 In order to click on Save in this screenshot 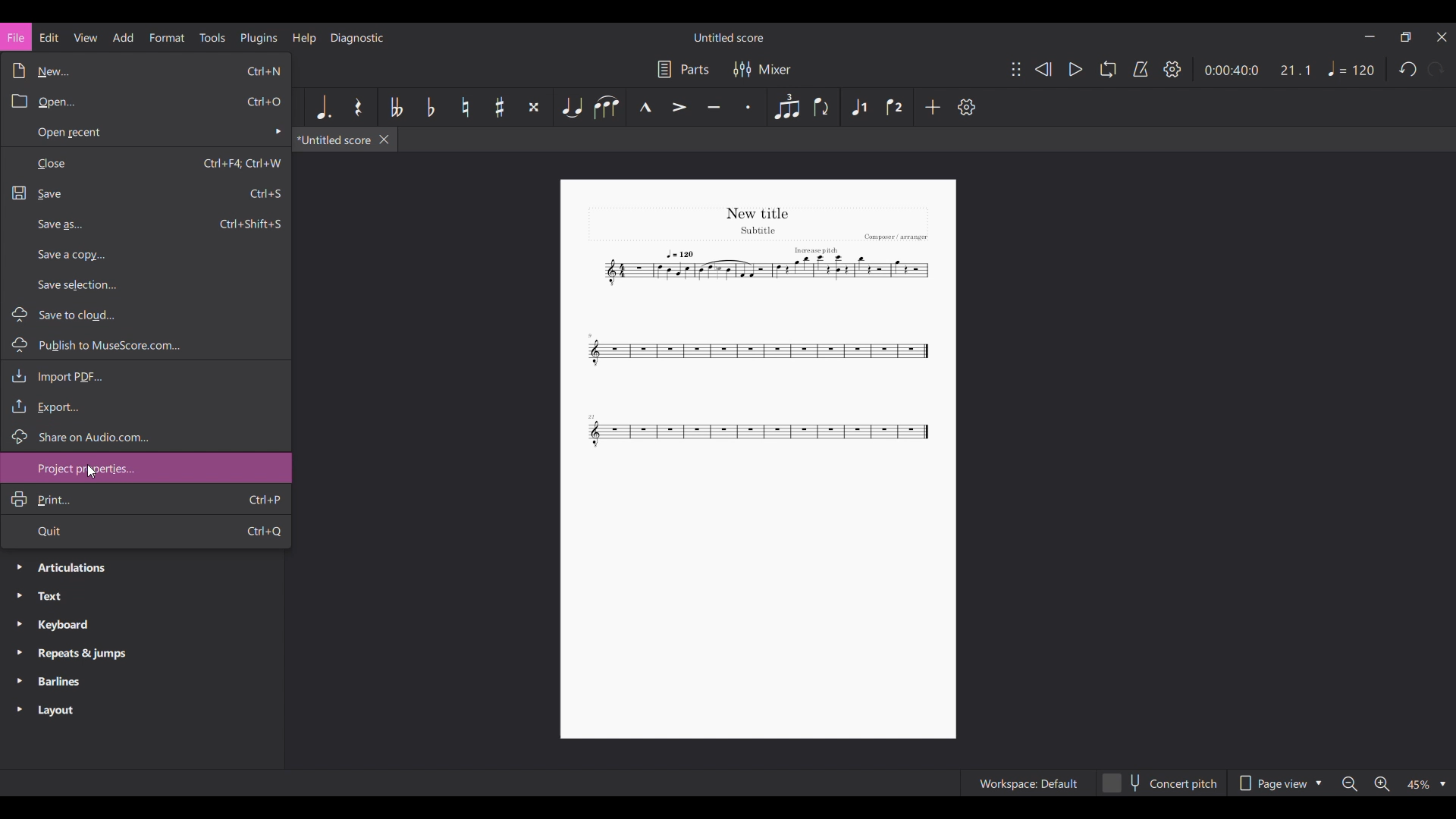, I will do `click(145, 193)`.